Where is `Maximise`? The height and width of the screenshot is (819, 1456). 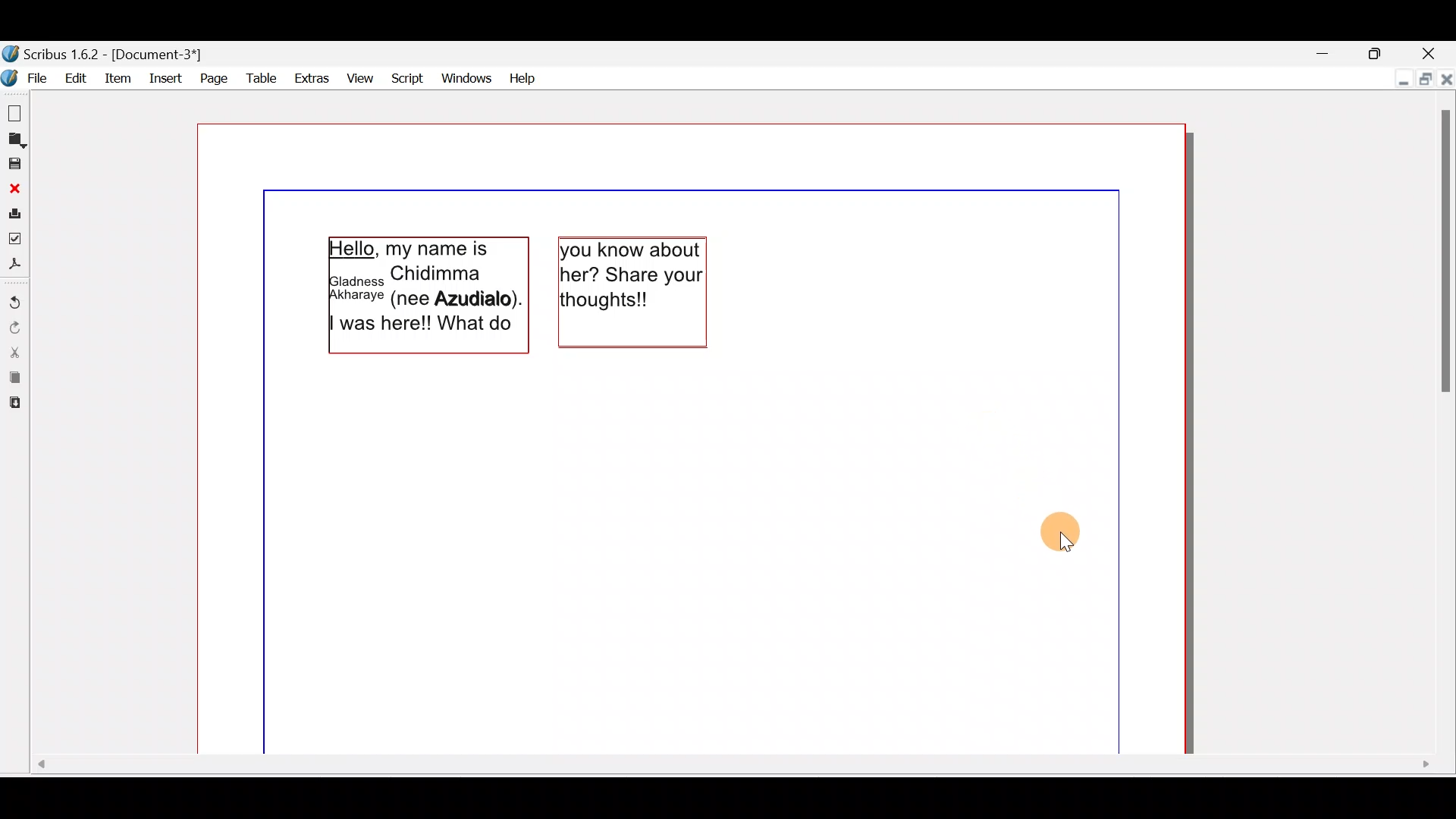 Maximise is located at coordinates (1378, 51).